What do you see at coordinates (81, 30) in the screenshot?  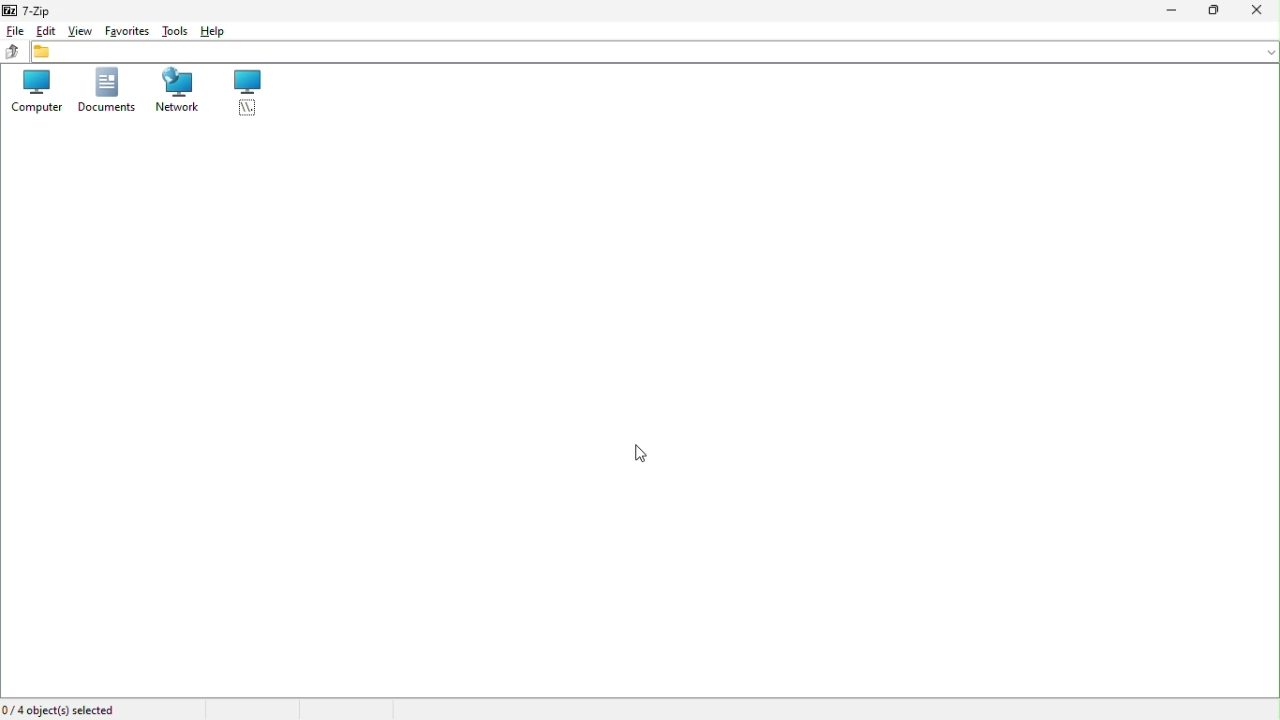 I see `view` at bounding box center [81, 30].